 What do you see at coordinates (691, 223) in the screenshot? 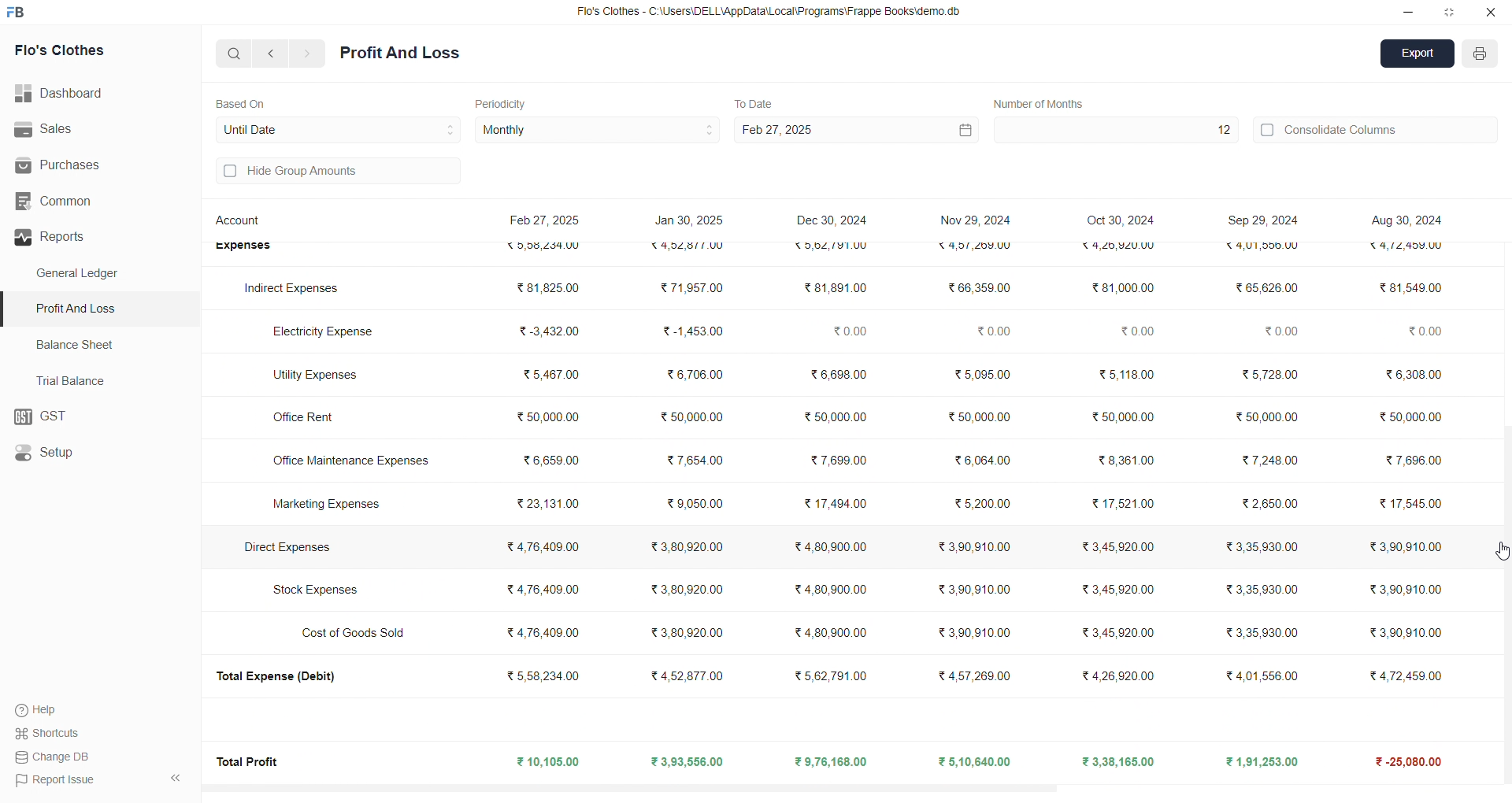
I see `Jan 30, 2025` at bounding box center [691, 223].